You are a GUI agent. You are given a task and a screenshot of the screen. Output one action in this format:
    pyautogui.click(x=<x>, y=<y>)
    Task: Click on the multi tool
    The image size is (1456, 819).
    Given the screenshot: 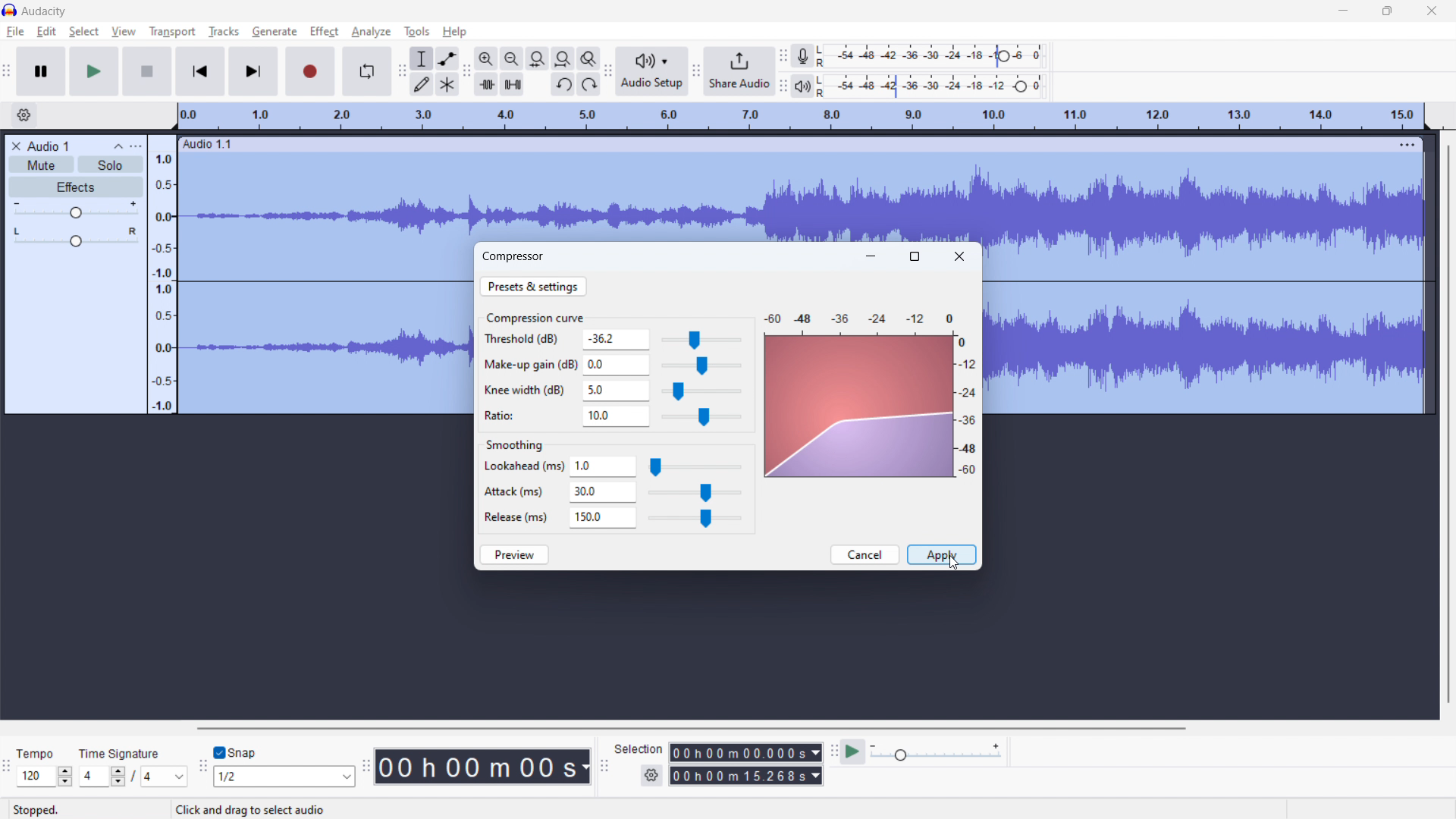 What is the action you would take?
    pyautogui.click(x=447, y=85)
    